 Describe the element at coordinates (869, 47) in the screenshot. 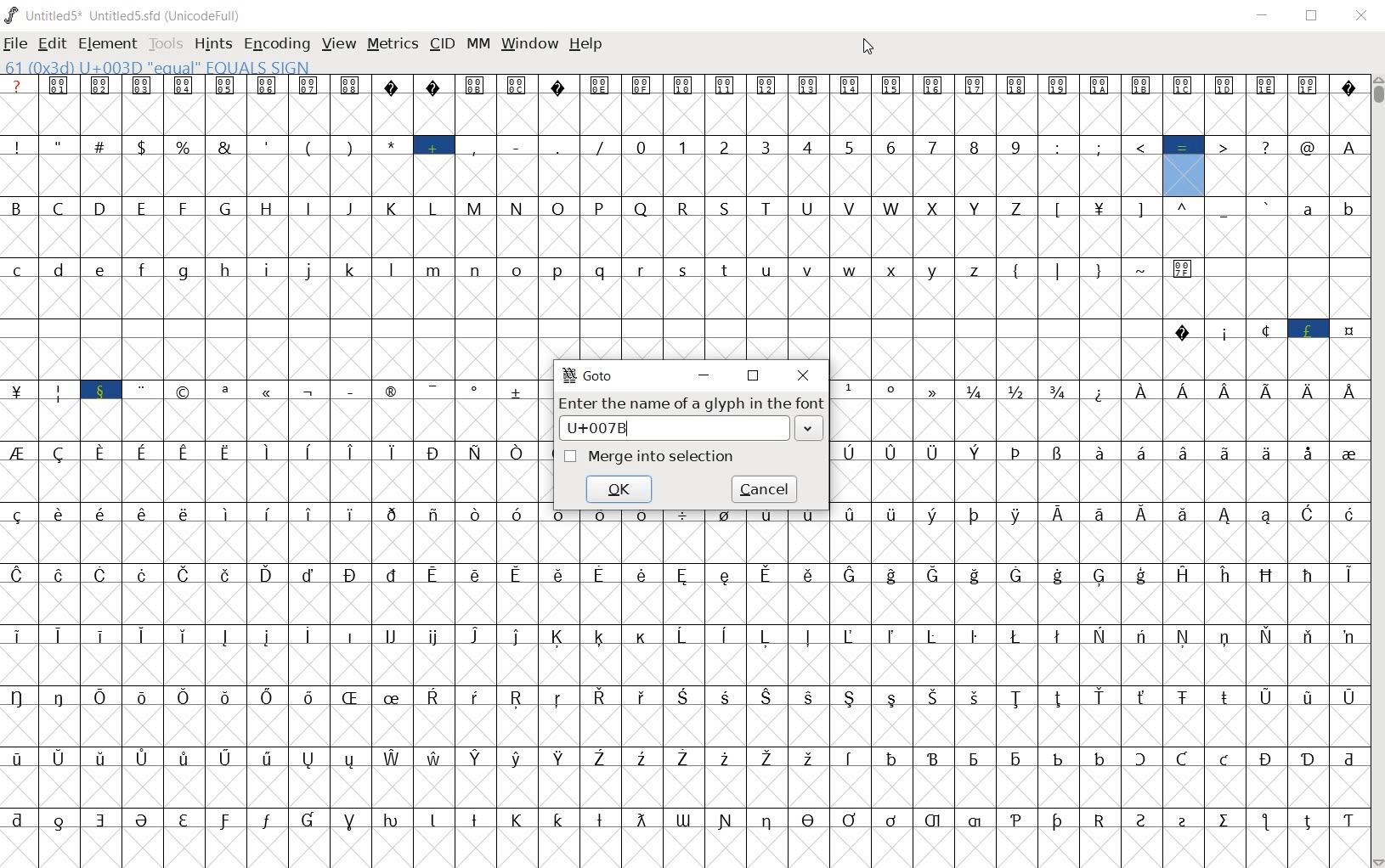

I see `cursor` at that location.